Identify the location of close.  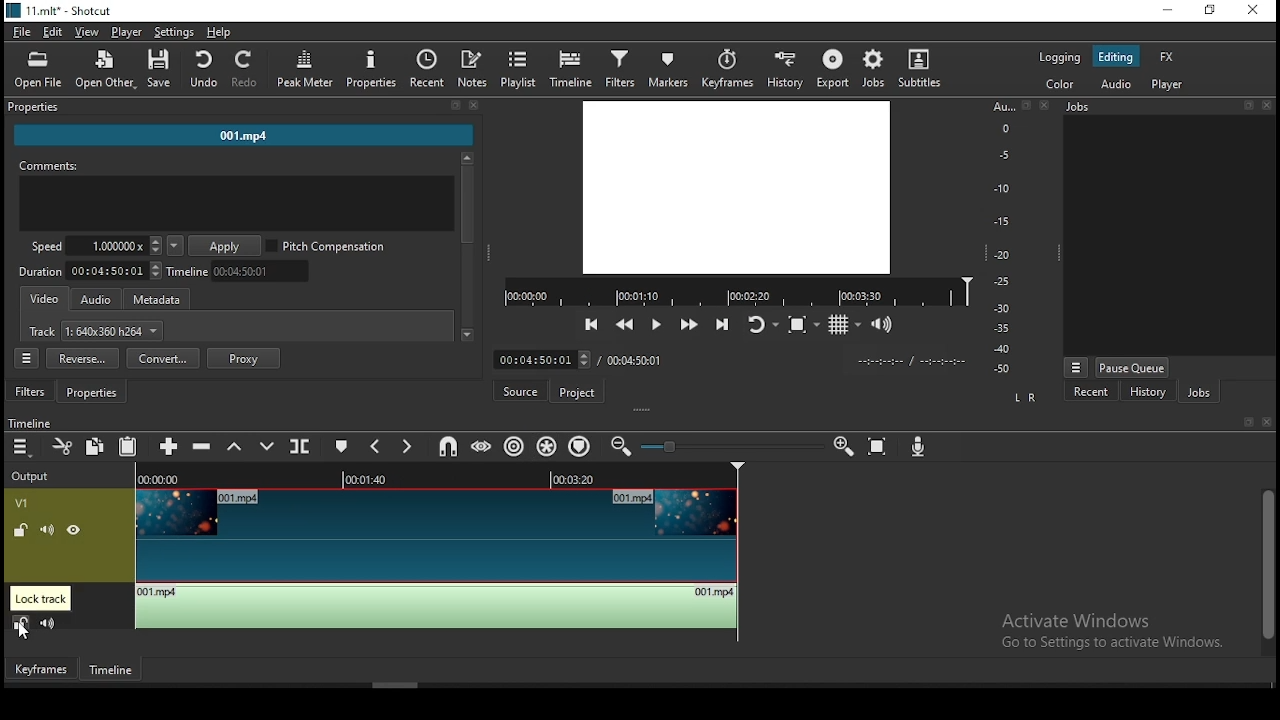
(1266, 421).